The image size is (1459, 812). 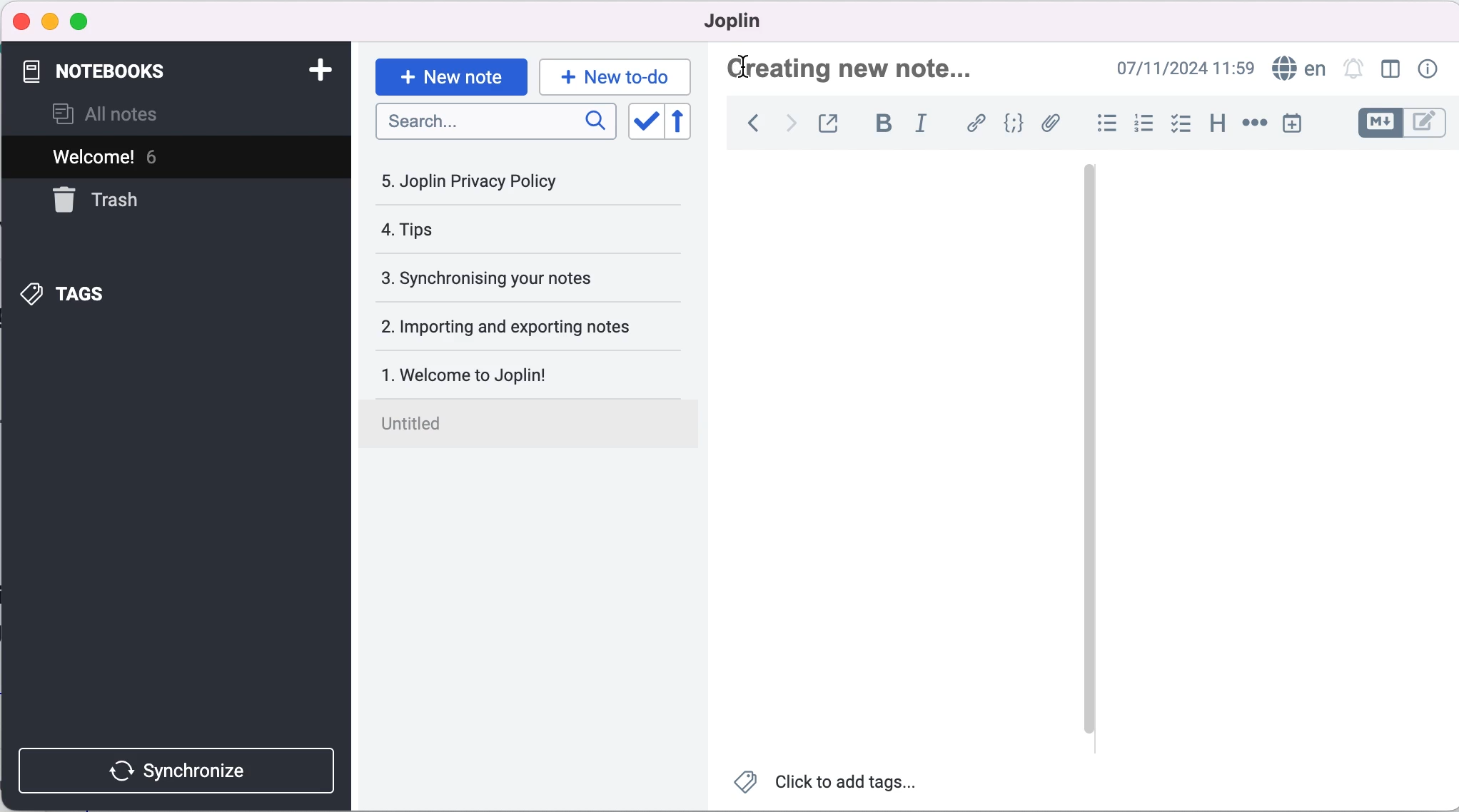 I want to click on new to-do, so click(x=618, y=73).